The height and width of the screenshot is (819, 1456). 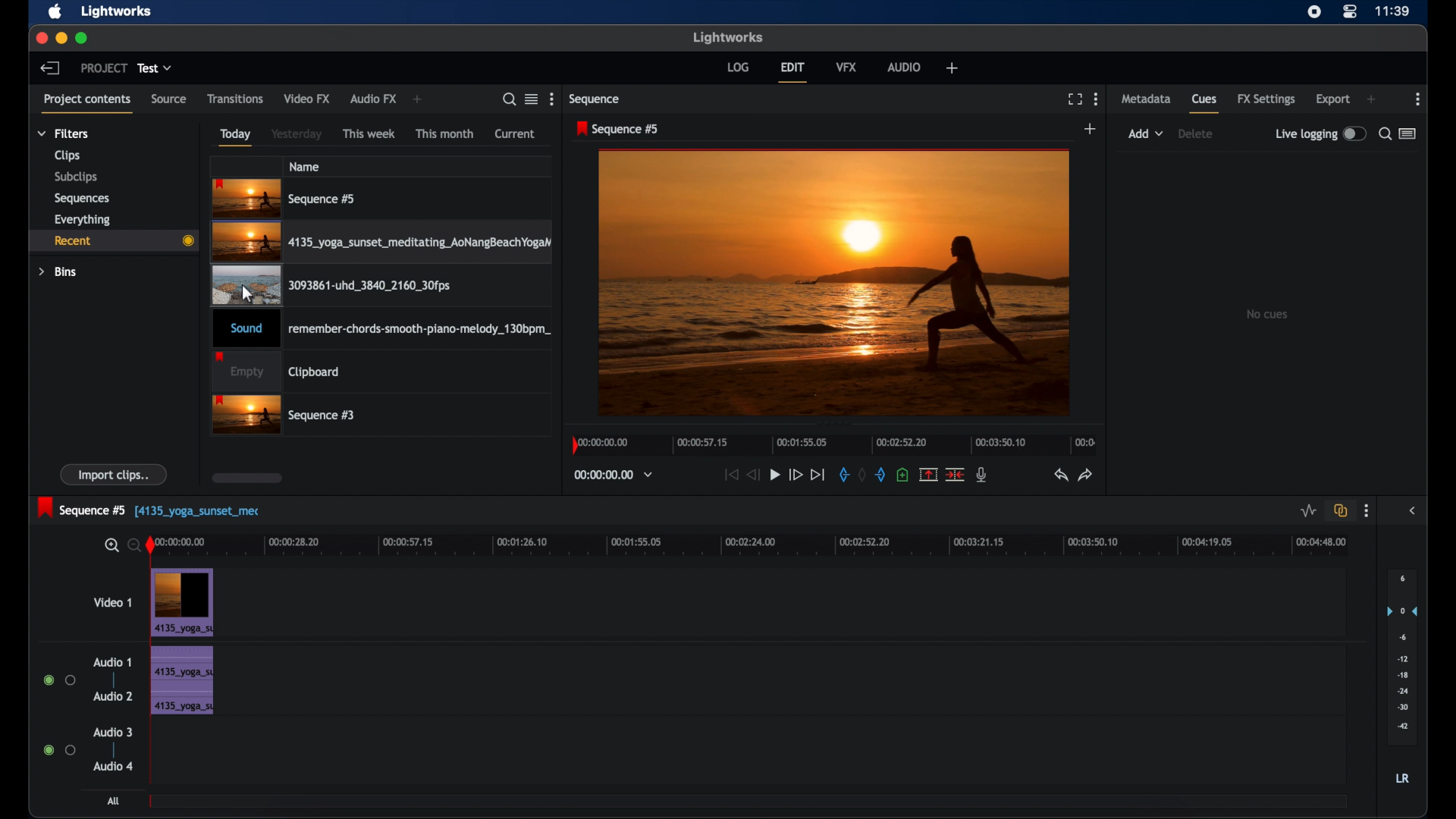 I want to click on edit, so click(x=792, y=71).